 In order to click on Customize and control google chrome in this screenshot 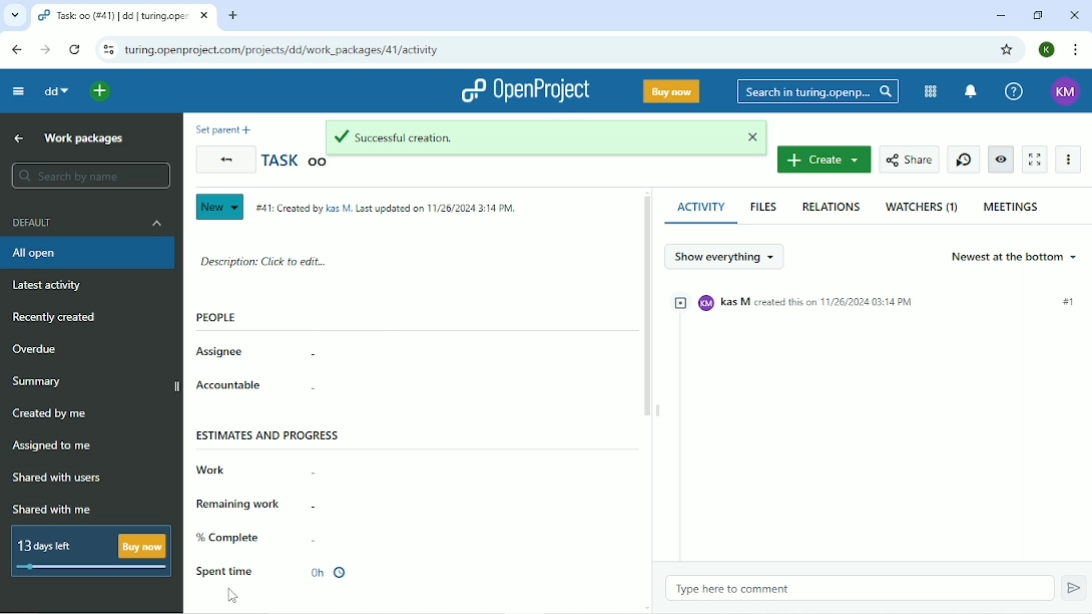, I will do `click(1079, 50)`.